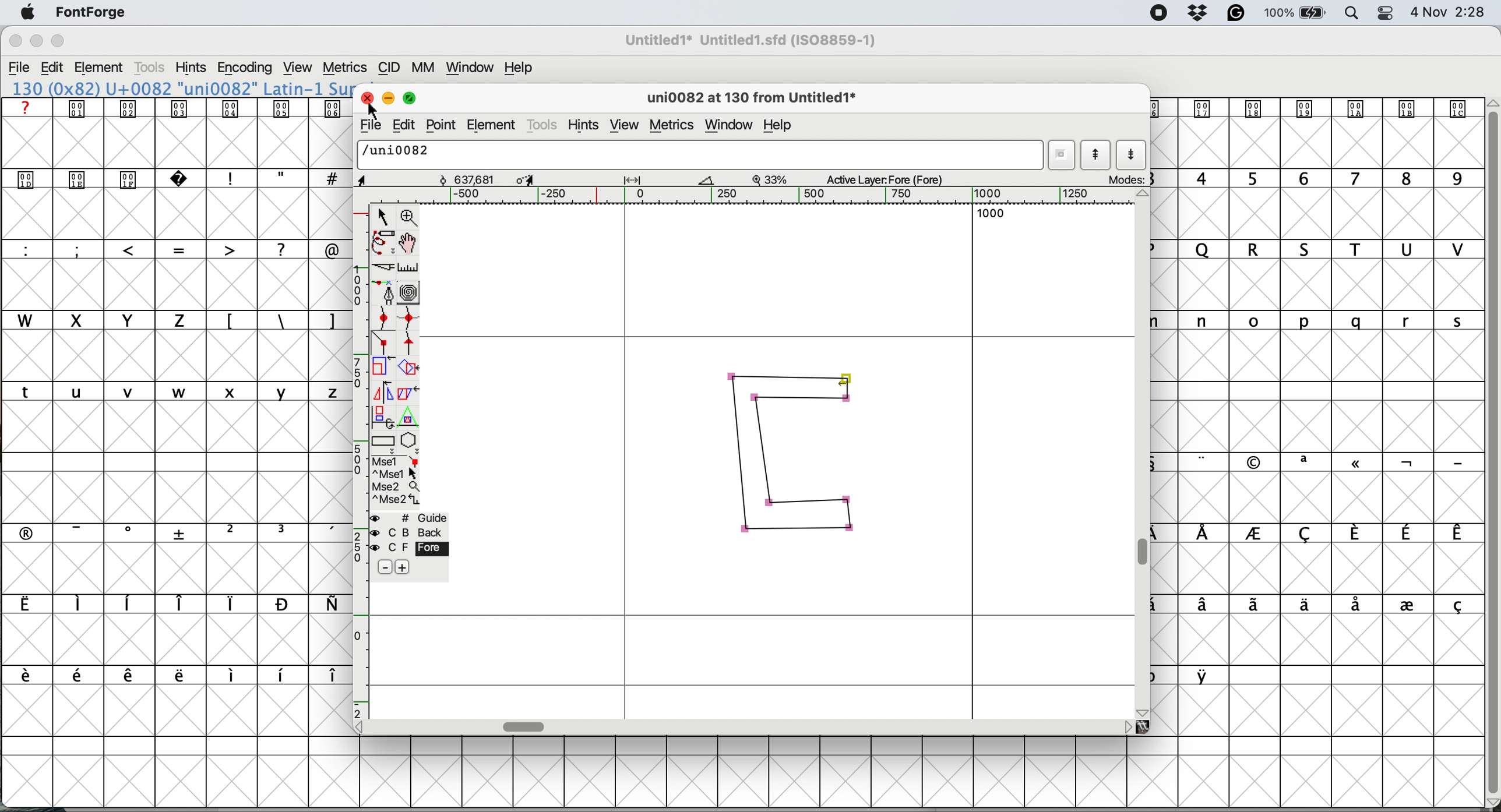 The image size is (1501, 812). Describe the element at coordinates (852, 519) in the screenshot. I see `corner points connected` at that location.